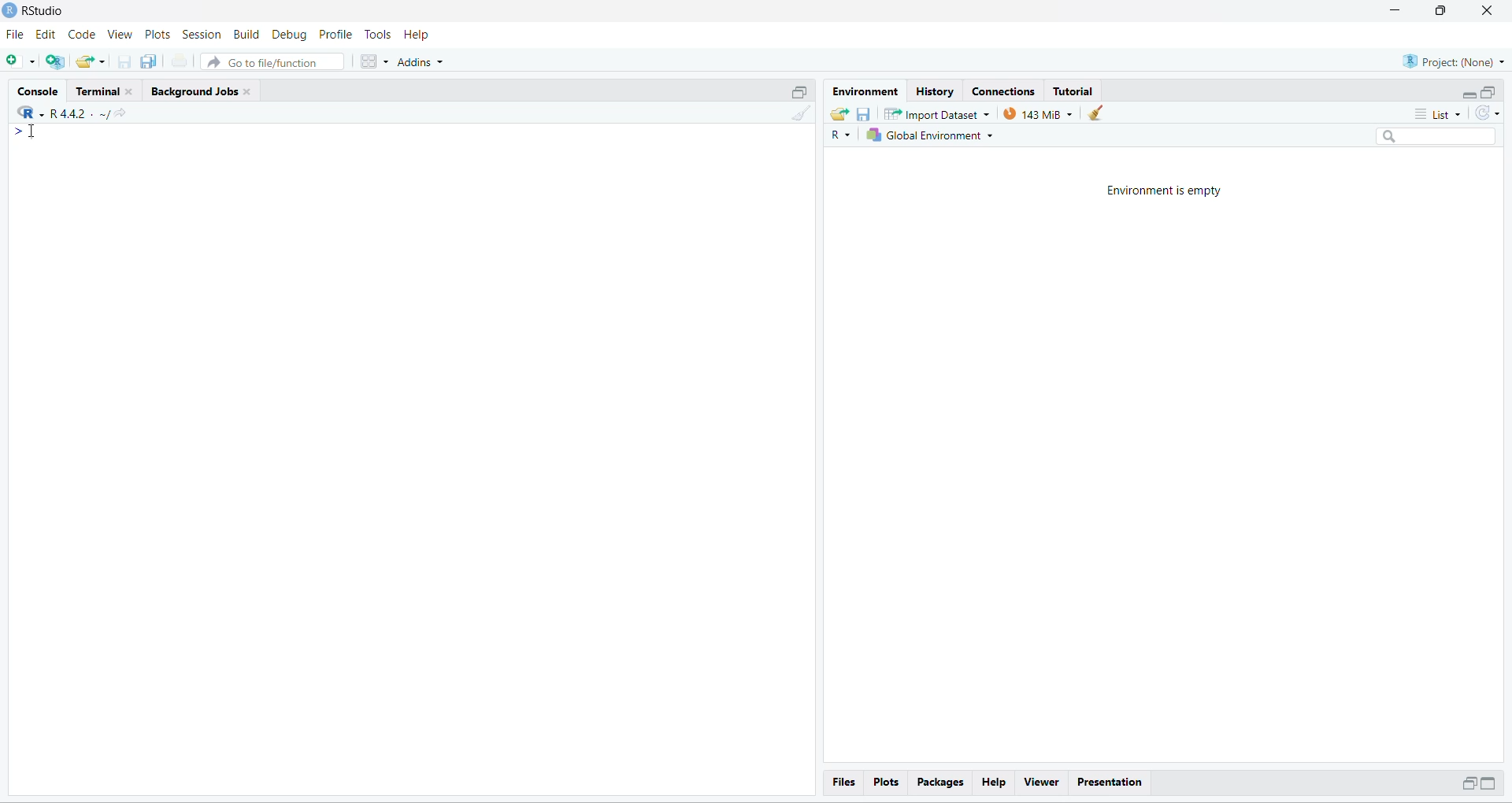  Describe the element at coordinates (938, 113) in the screenshot. I see `import datasets` at that location.